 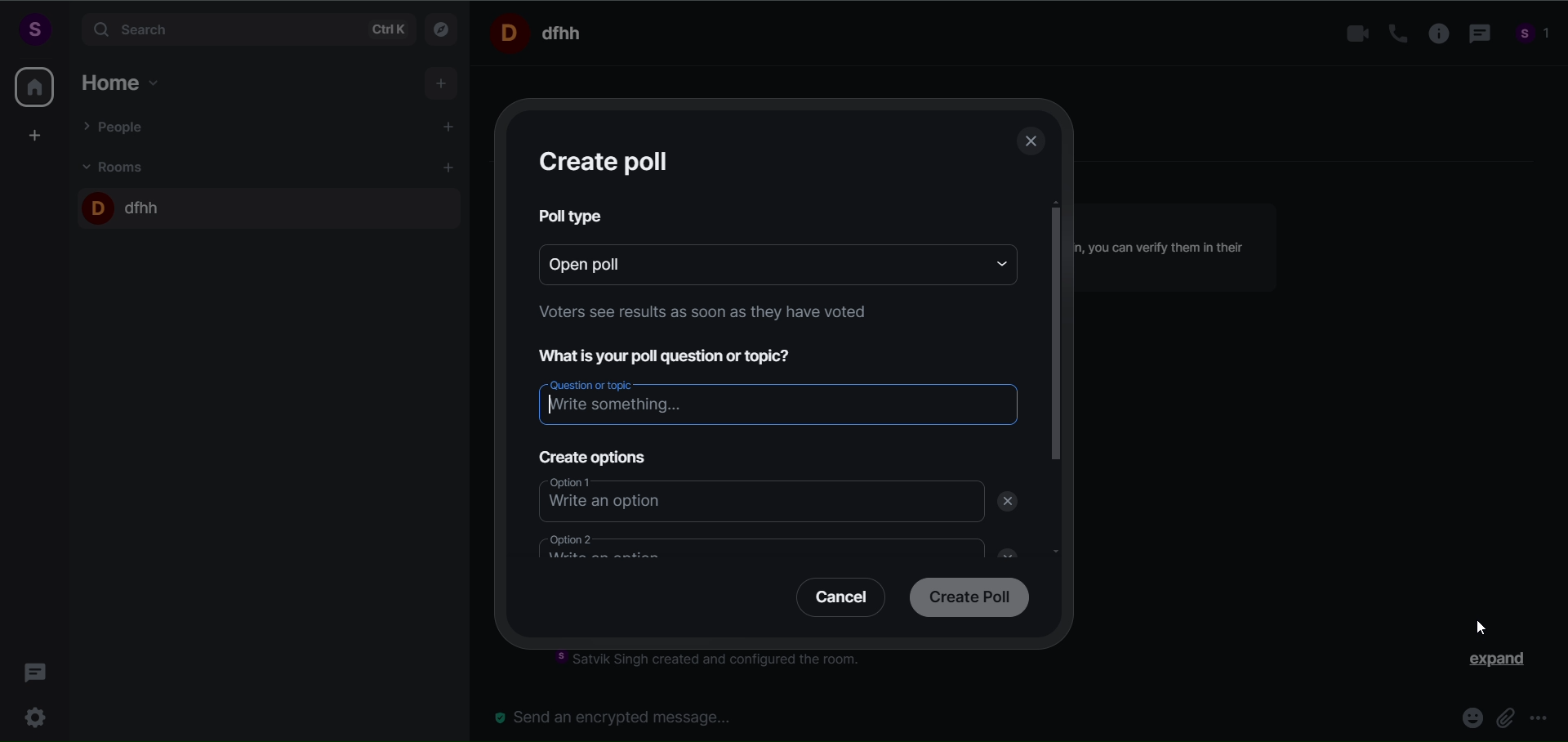 What do you see at coordinates (1477, 35) in the screenshot?
I see `thread` at bounding box center [1477, 35].